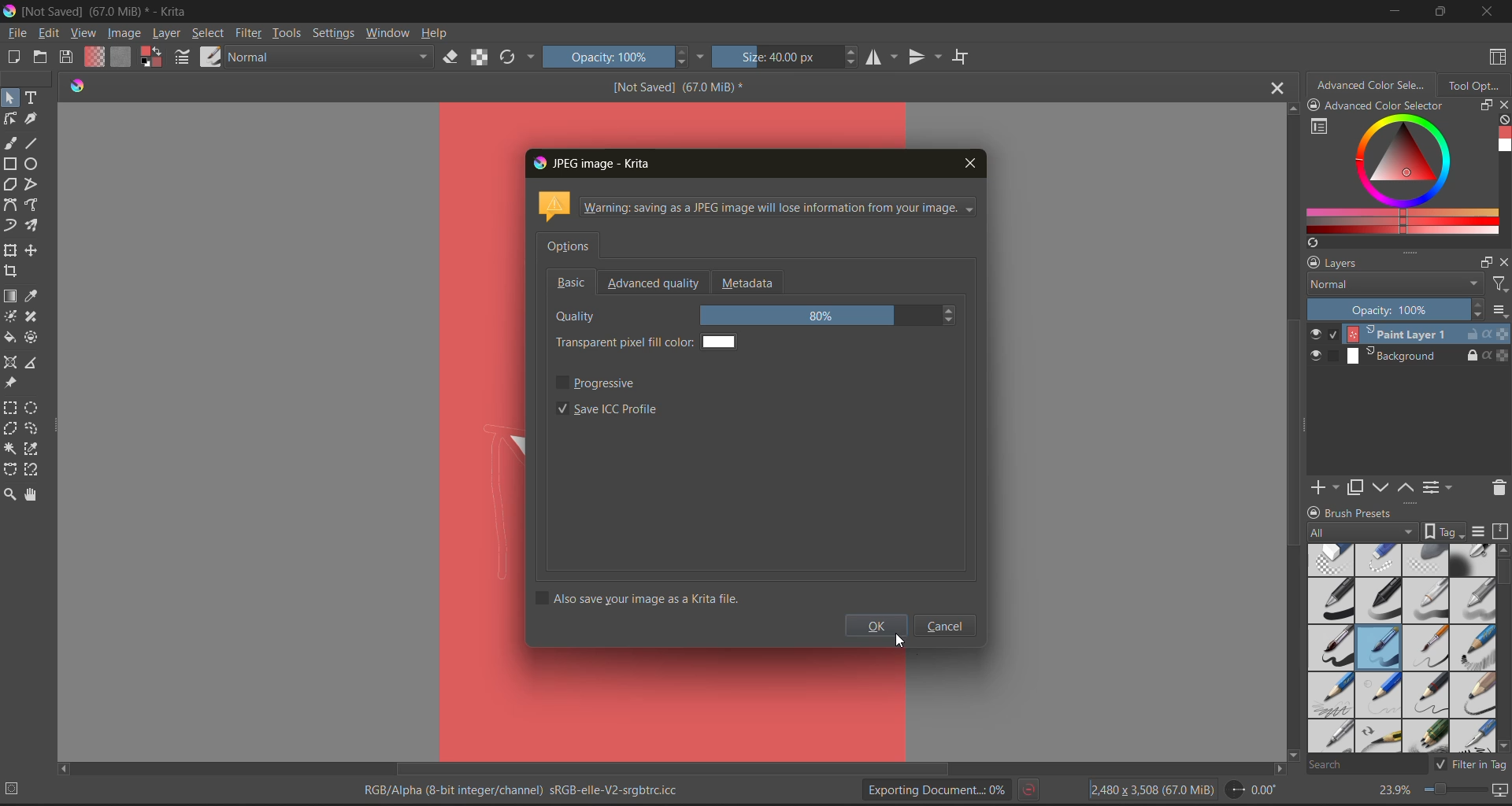 Image resolution: width=1512 pixels, height=806 pixels. Describe the element at coordinates (31, 120) in the screenshot. I see `tools` at that location.